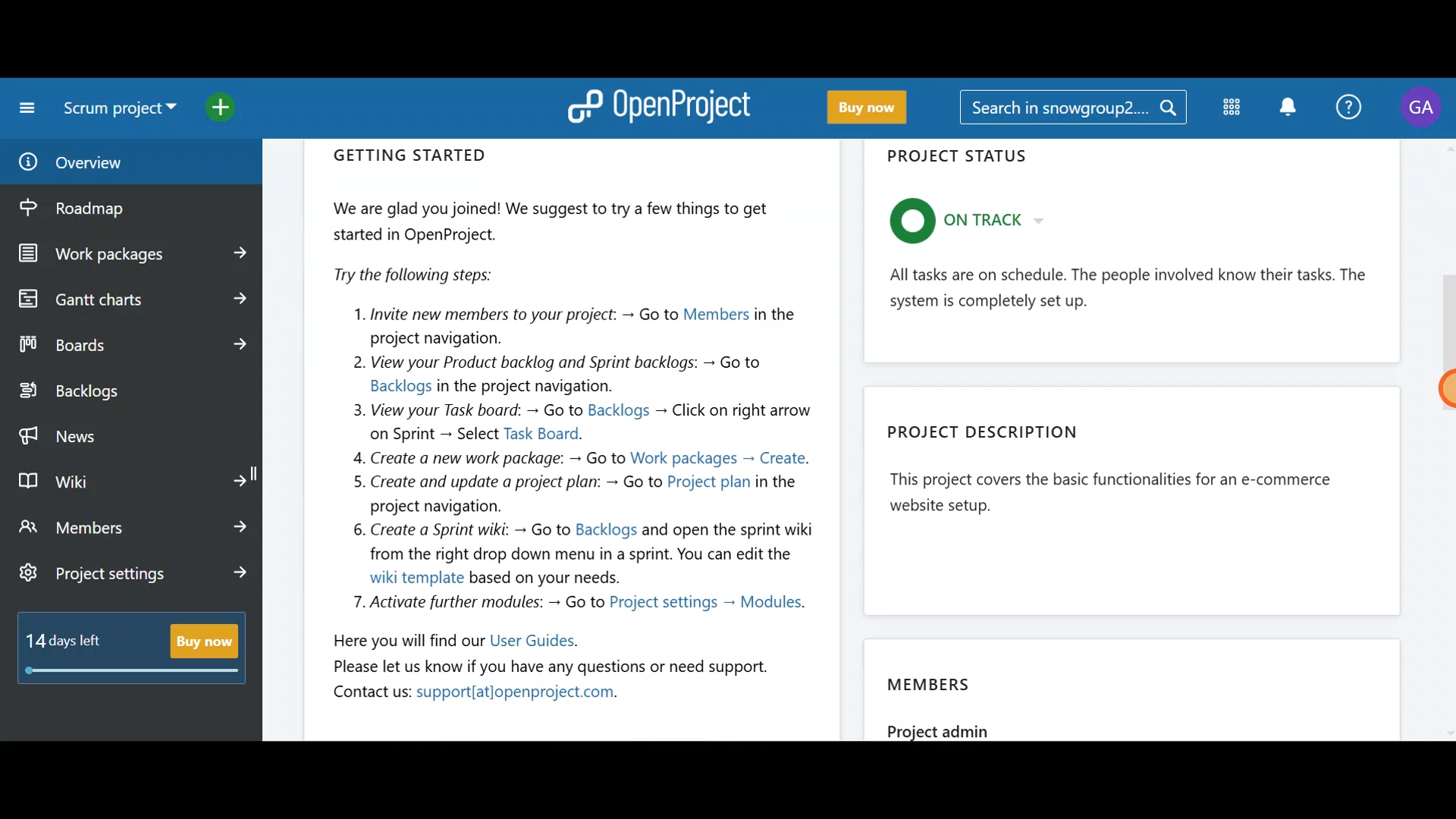 This screenshot has height=819, width=1456. I want to click on Gantt charts, so click(129, 297).